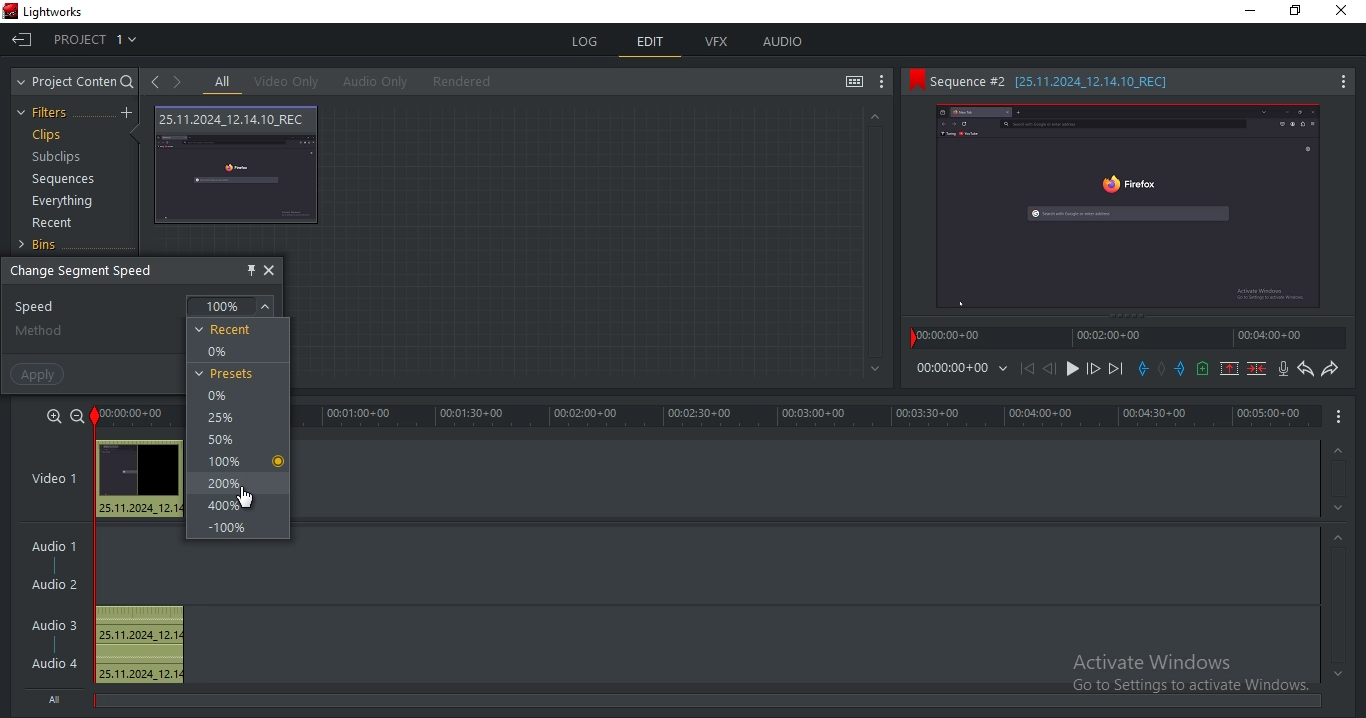 This screenshot has height=718, width=1366. What do you see at coordinates (46, 245) in the screenshot?
I see `bins` at bounding box center [46, 245].